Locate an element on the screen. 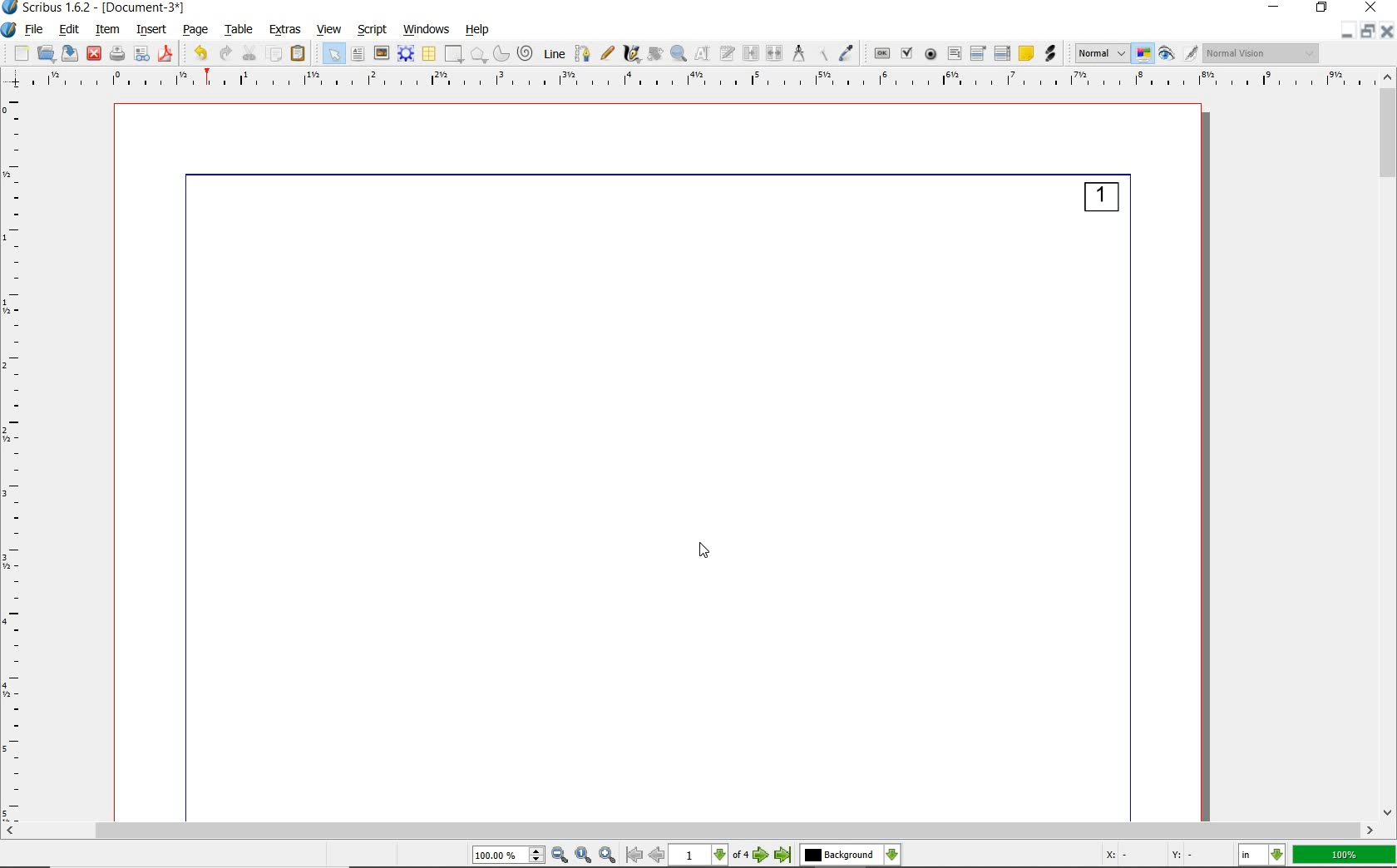 This screenshot has height=868, width=1397. print is located at coordinates (117, 52).